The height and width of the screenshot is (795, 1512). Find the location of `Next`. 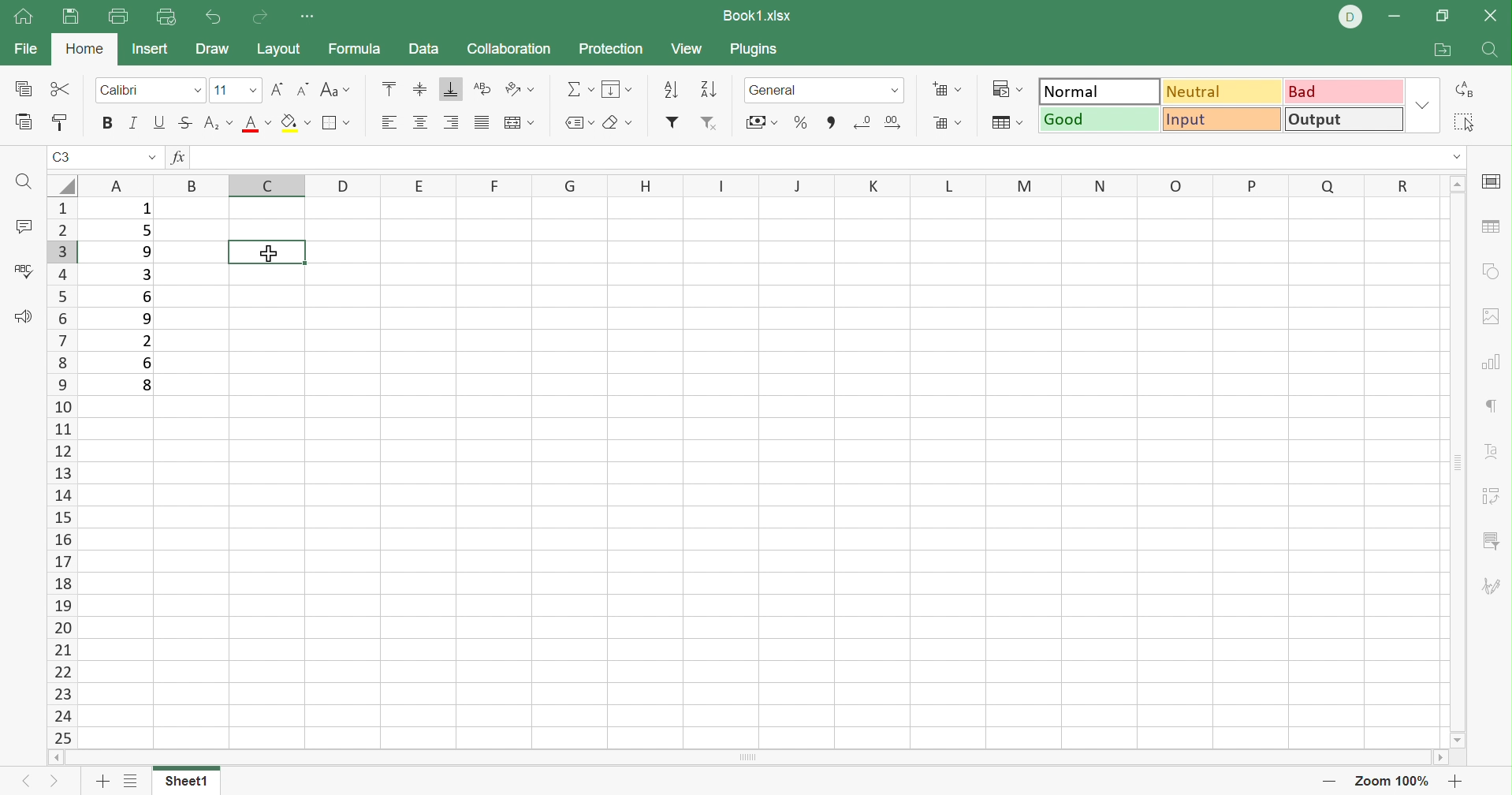

Next is located at coordinates (50, 784).